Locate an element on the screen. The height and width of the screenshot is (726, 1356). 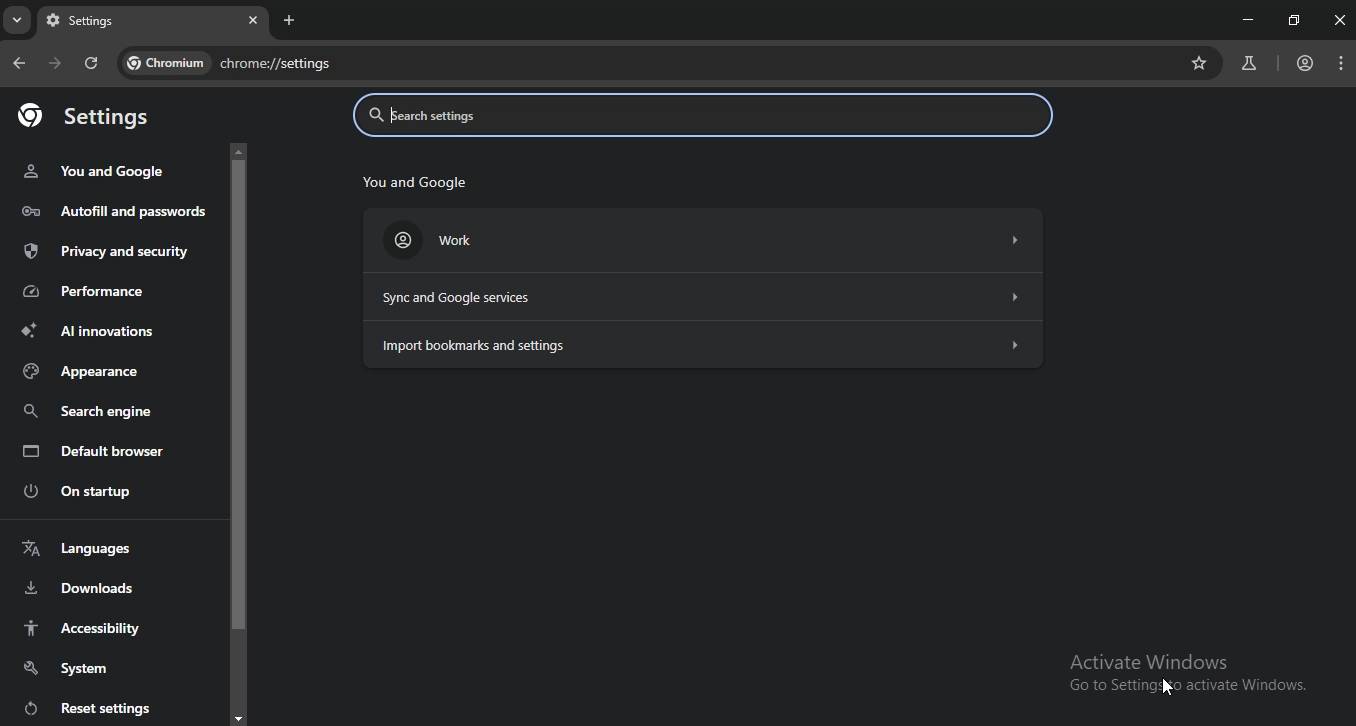
search tabs is located at coordinates (19, 23).